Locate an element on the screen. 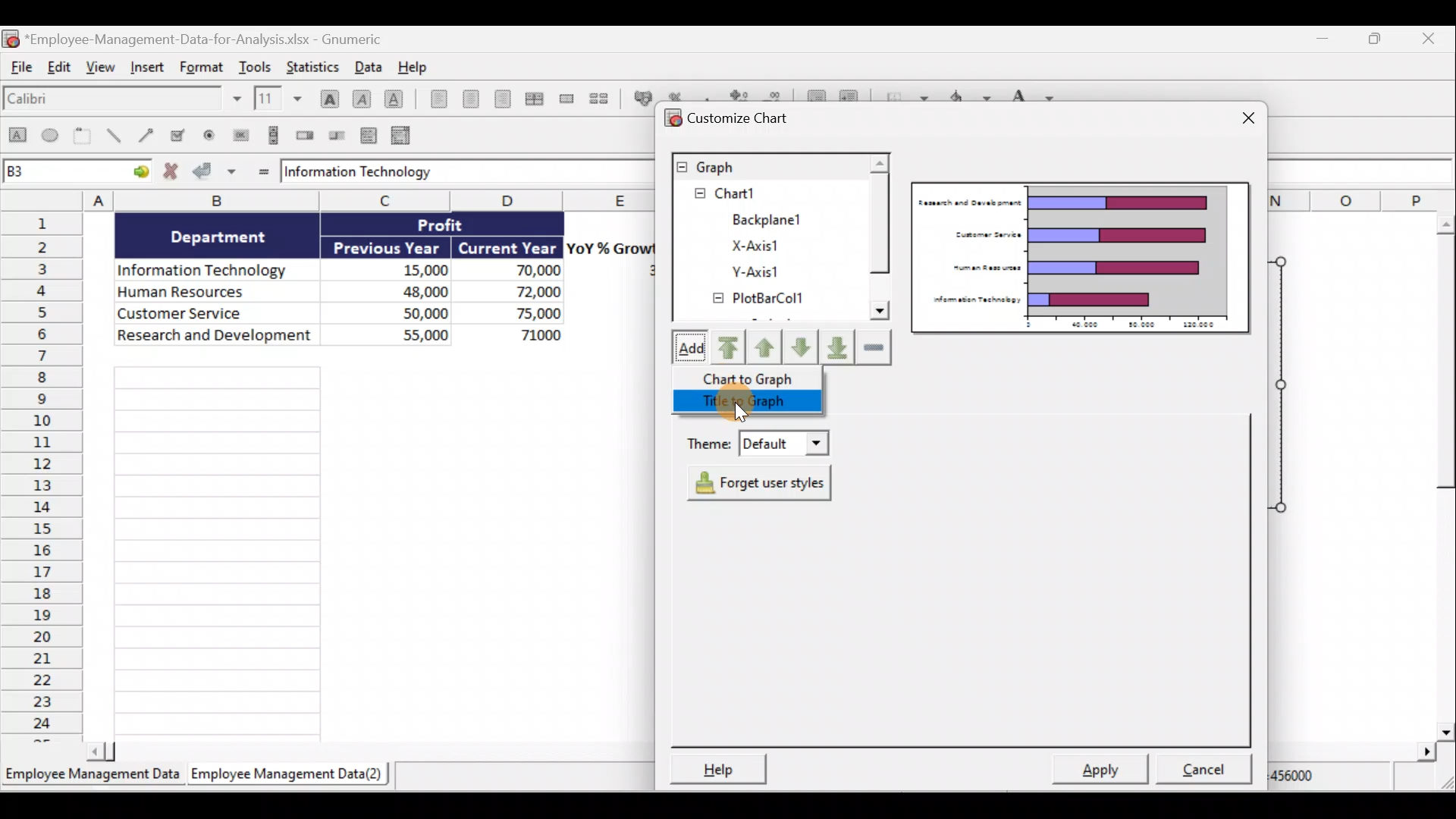 This screenshot has width=1456, height=819. Italic is located at coordinates (363, 99).